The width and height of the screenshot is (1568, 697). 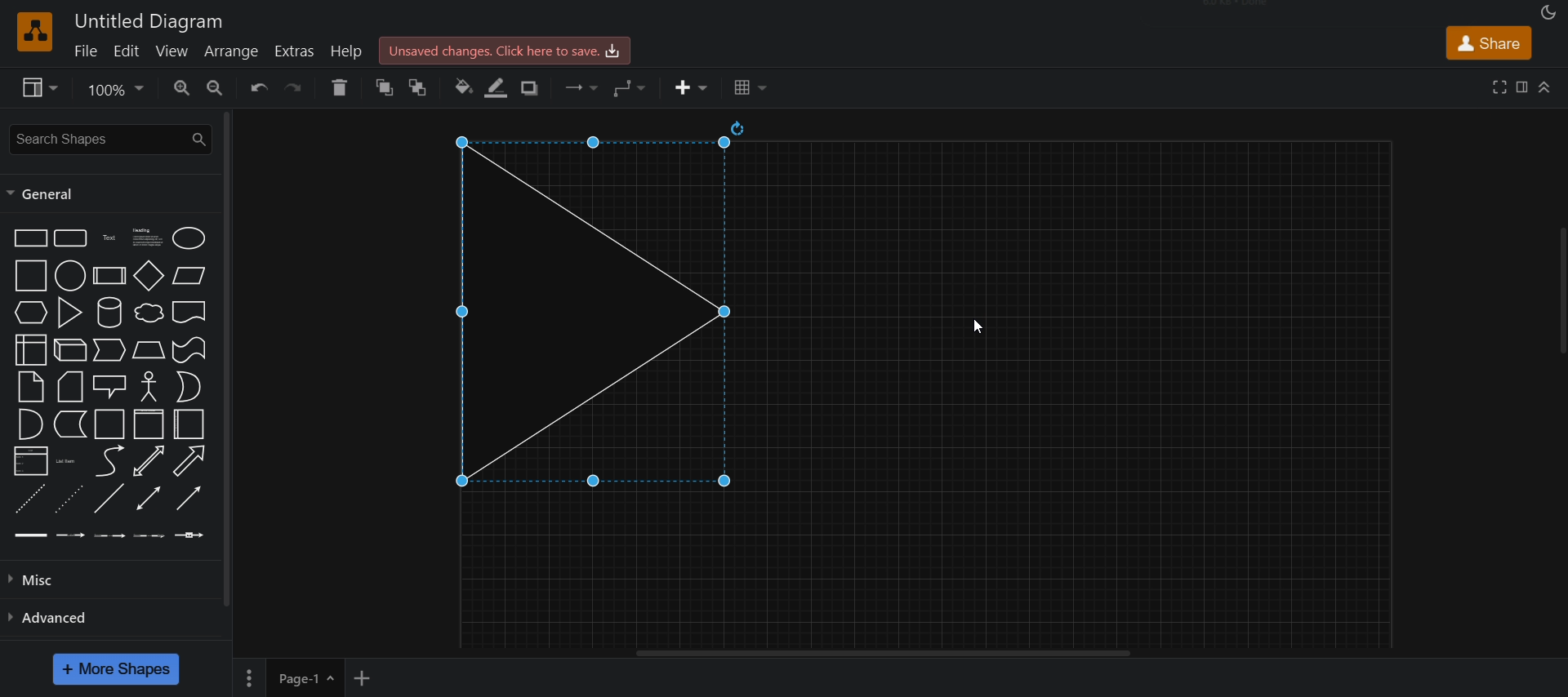 What do you see at coordinates (69, 499) in the screenshot?
I see `dotted line` at bounding box center [69, 499].